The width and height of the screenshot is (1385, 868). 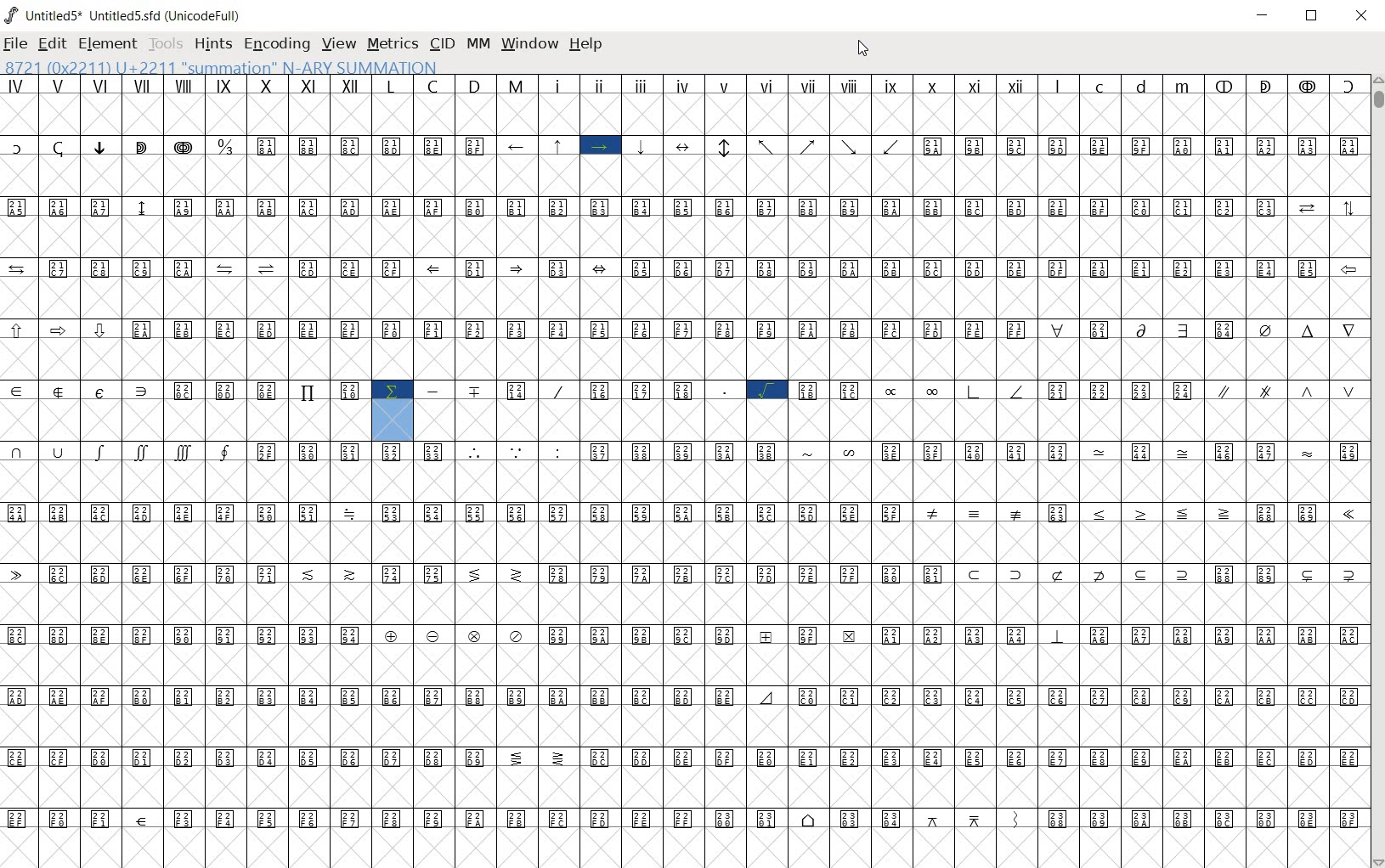 I want to click on RESTORE DOWN, so click(x=1312, y=17).